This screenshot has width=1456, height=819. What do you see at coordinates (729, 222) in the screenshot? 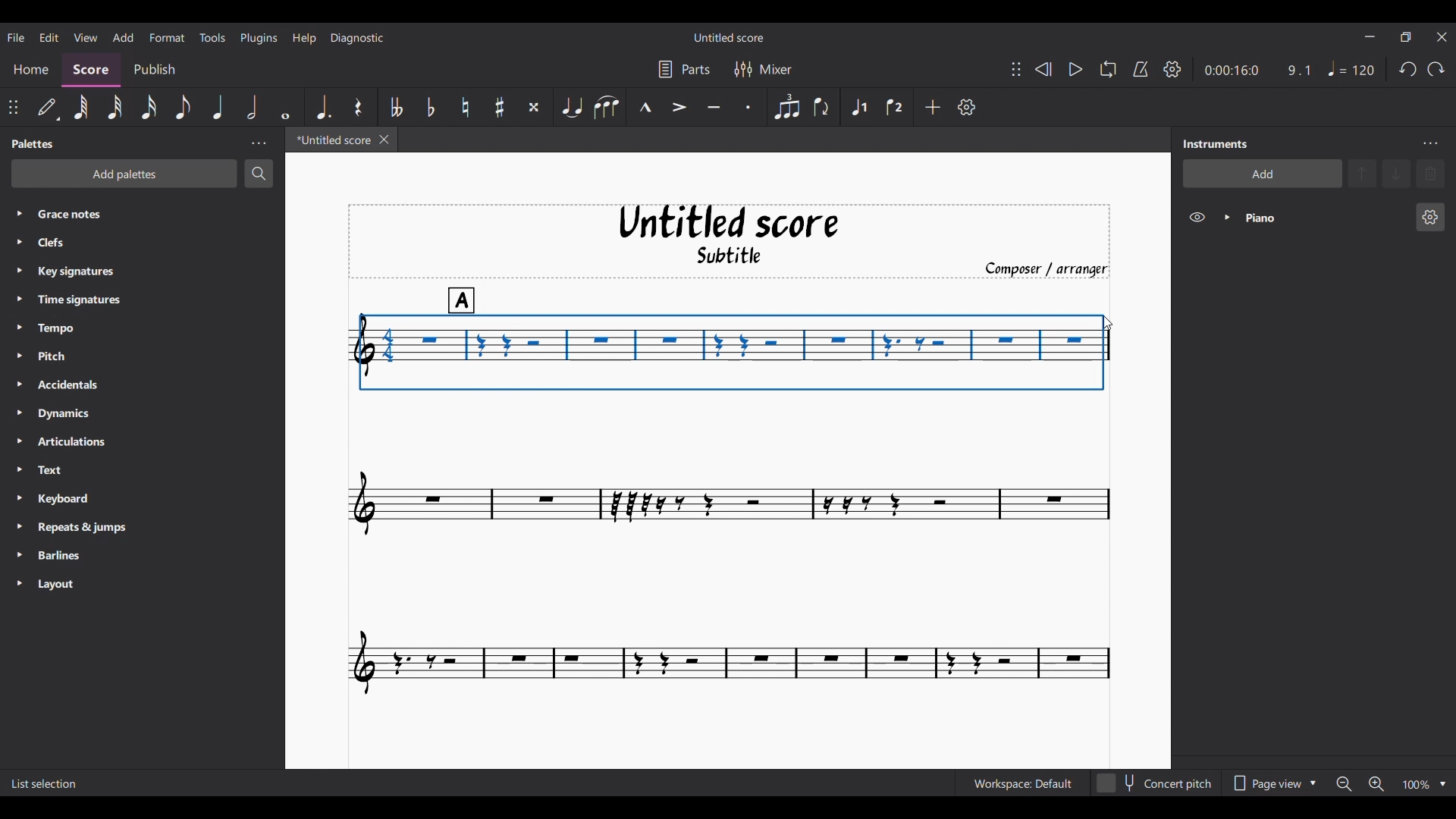
I see `Untitled score` at bounding box center [729, 222].